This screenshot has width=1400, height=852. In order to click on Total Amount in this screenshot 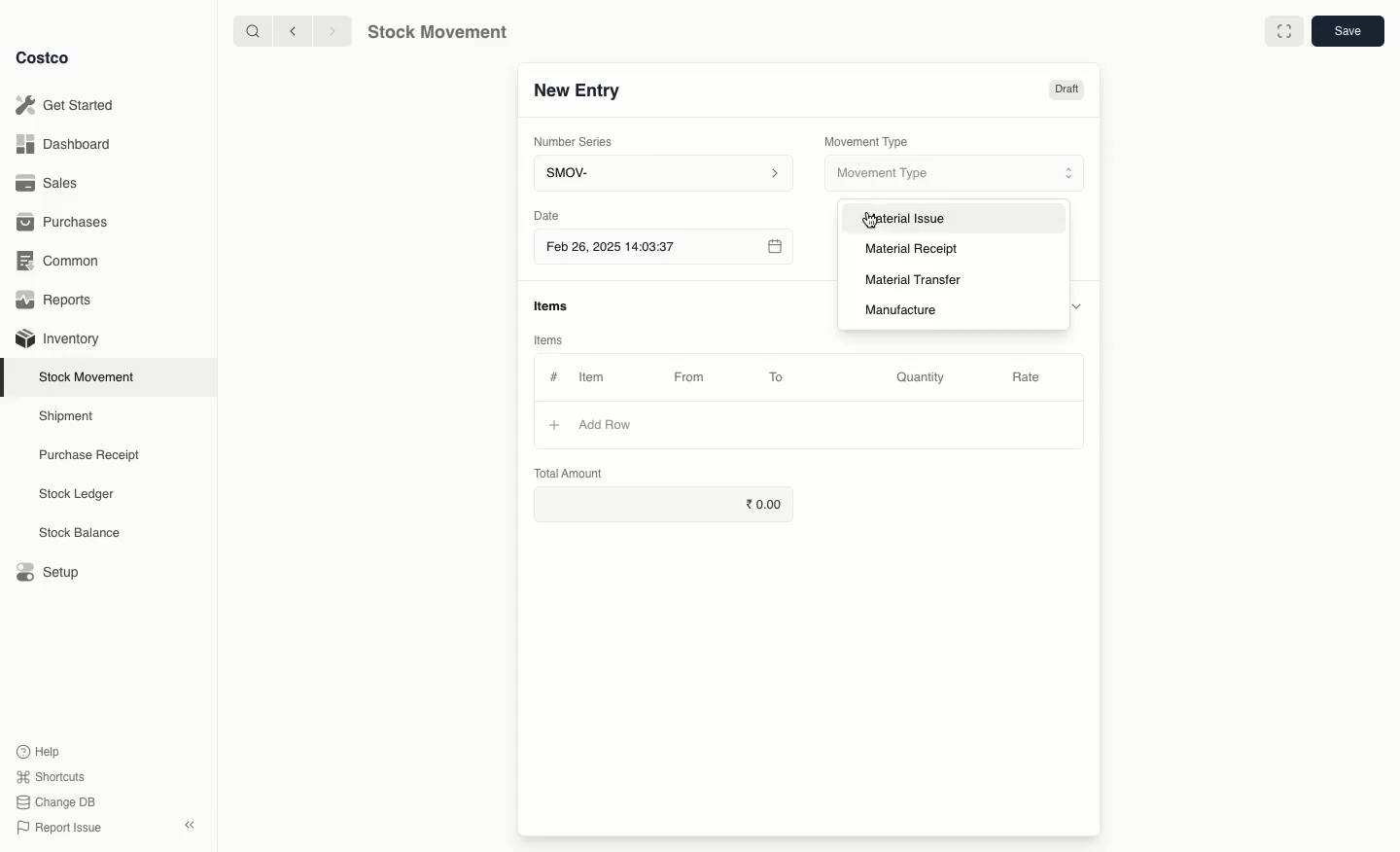, I will do `click(570, 473)`.